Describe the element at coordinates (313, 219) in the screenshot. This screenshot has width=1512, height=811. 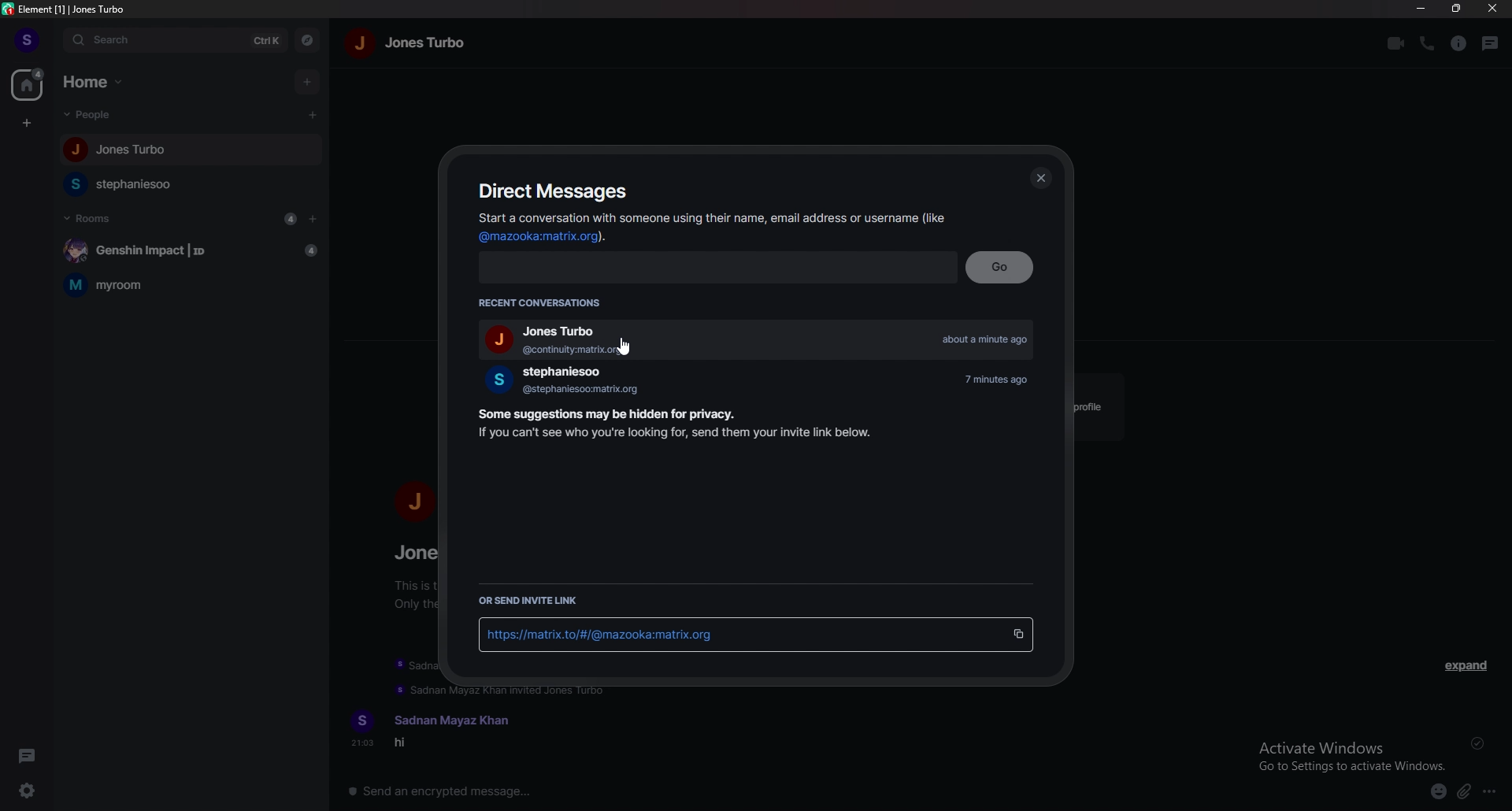
I see `add room` at that location.